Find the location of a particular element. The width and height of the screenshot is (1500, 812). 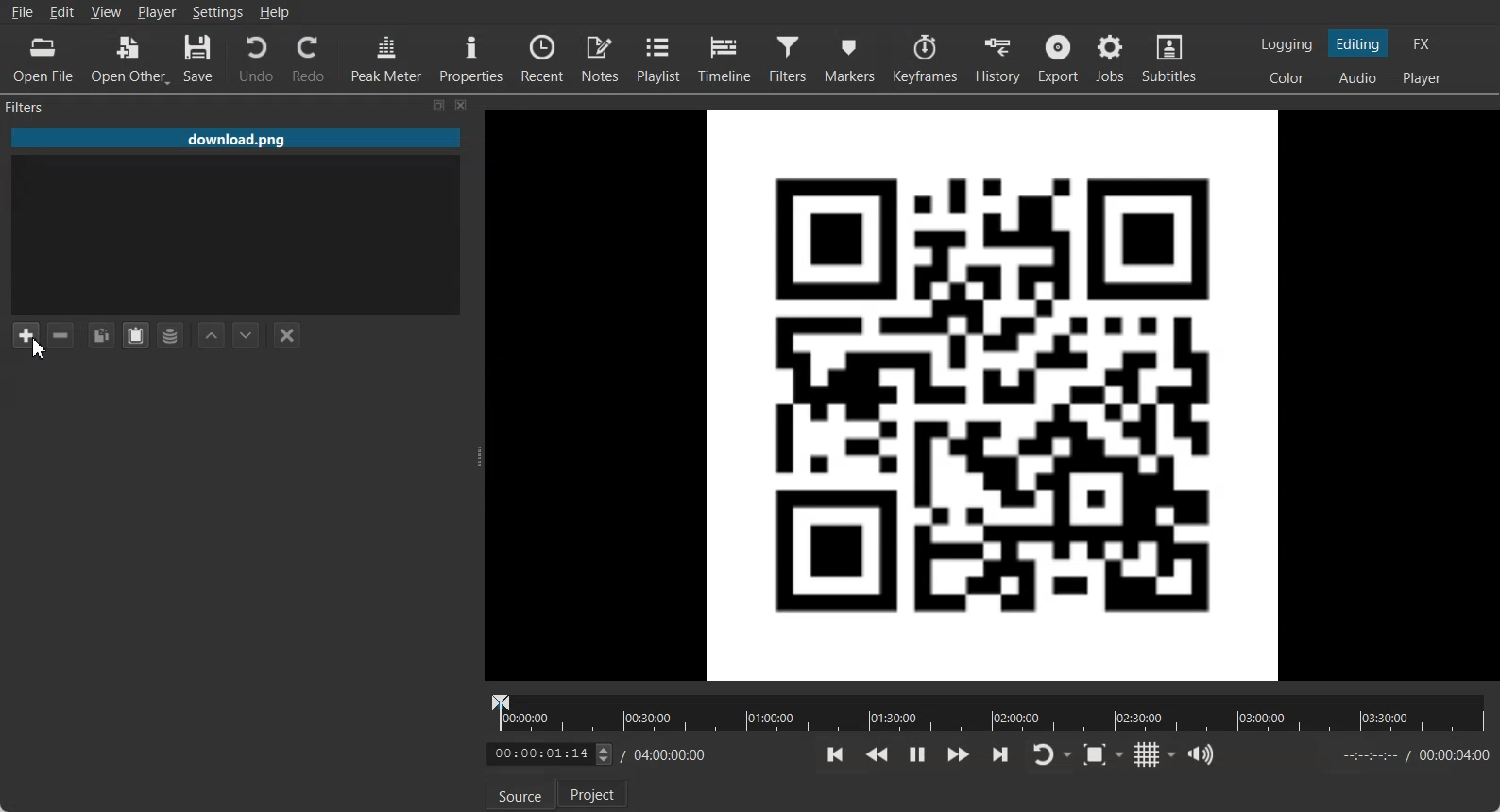

Save a filter set is located at coordinates (169, 336).